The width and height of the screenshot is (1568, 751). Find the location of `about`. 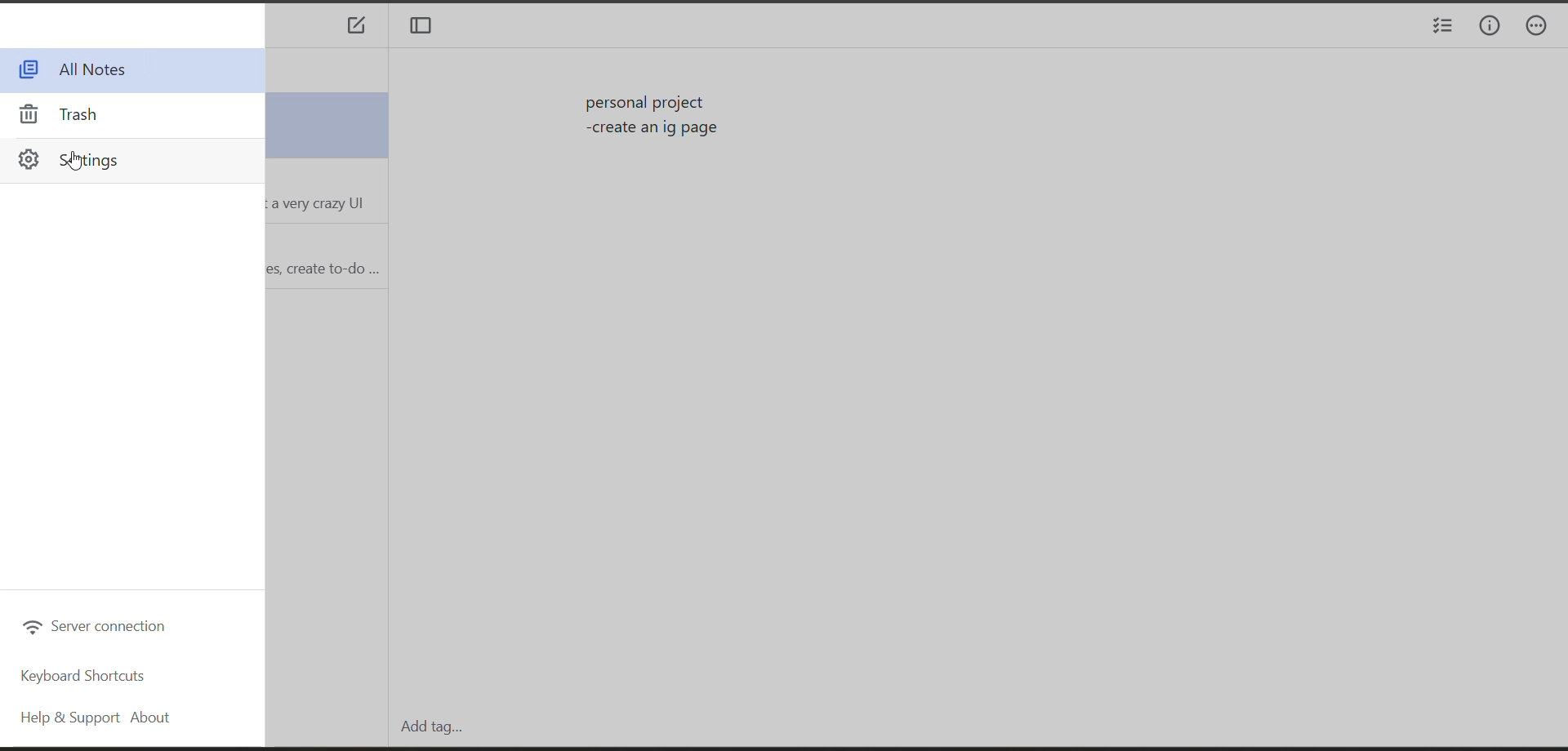

about is located at coordinates (155, 719).